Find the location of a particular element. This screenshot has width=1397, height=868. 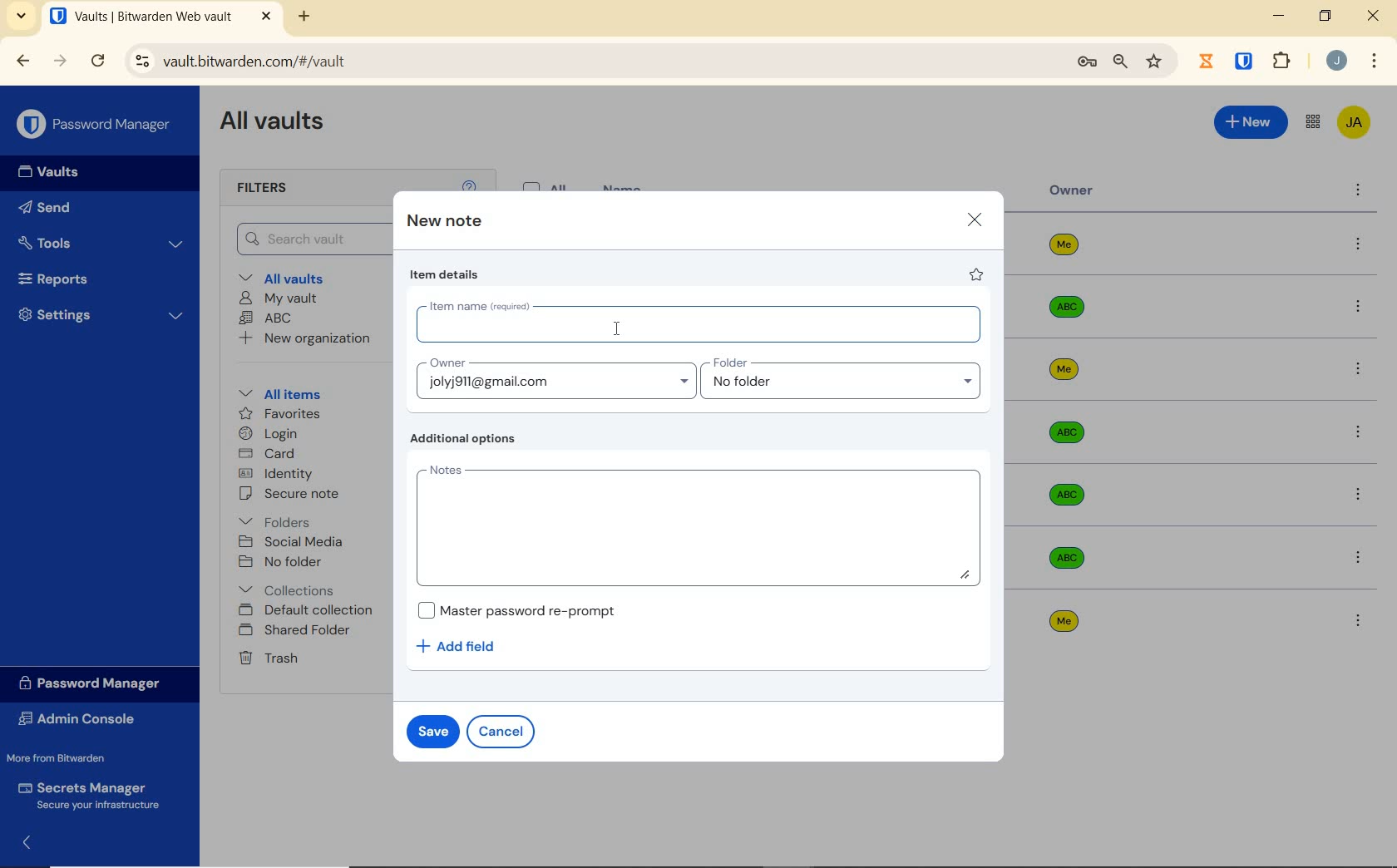

My Vault is located at coordinates (280, 298).